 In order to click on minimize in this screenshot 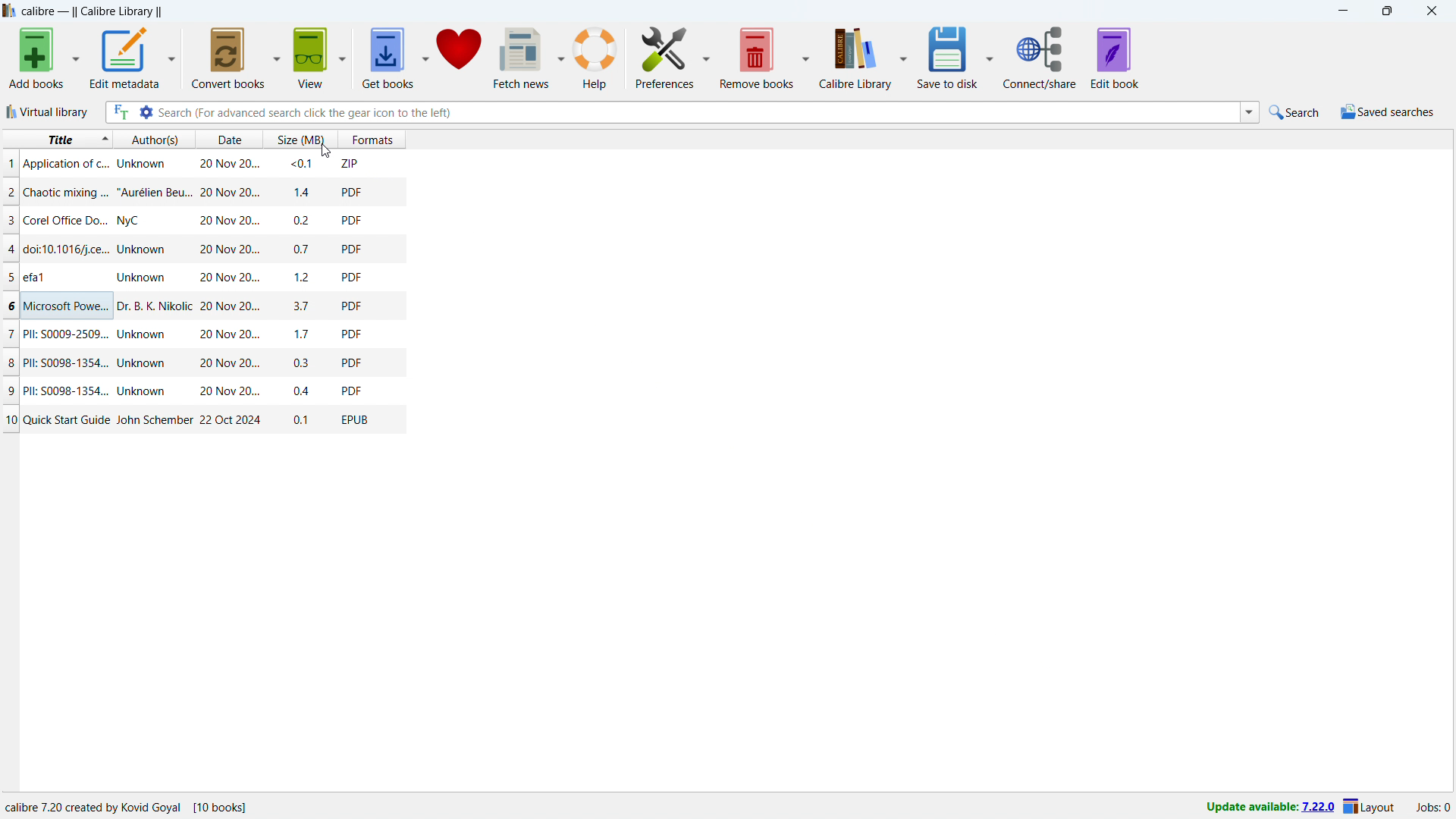, I will do `click(1341, 11)`.